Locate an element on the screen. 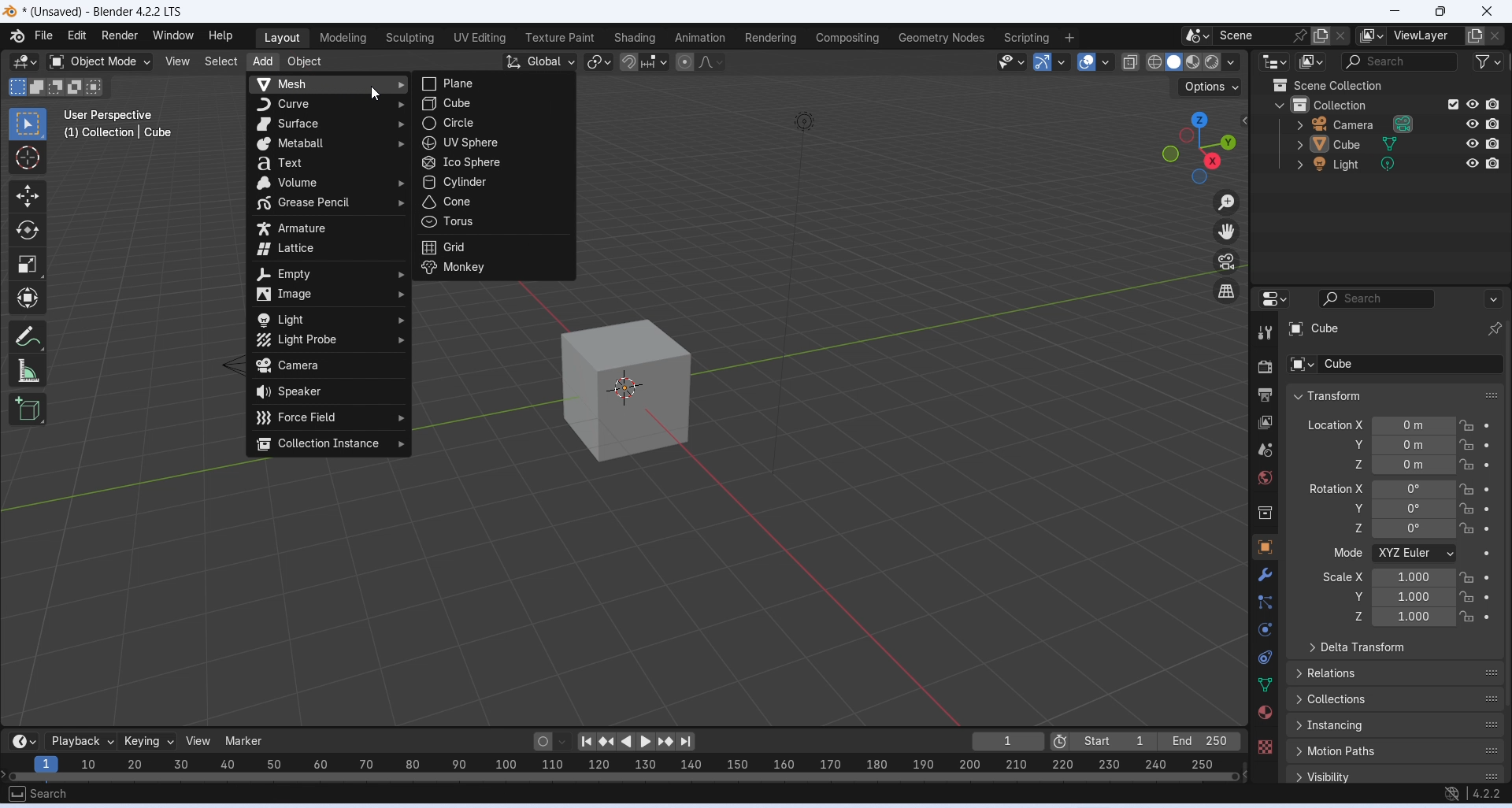 Image resolution: width=1512 pixels, height=808 pixels. Toggle the camera view is located at coordinates (1226, 261).